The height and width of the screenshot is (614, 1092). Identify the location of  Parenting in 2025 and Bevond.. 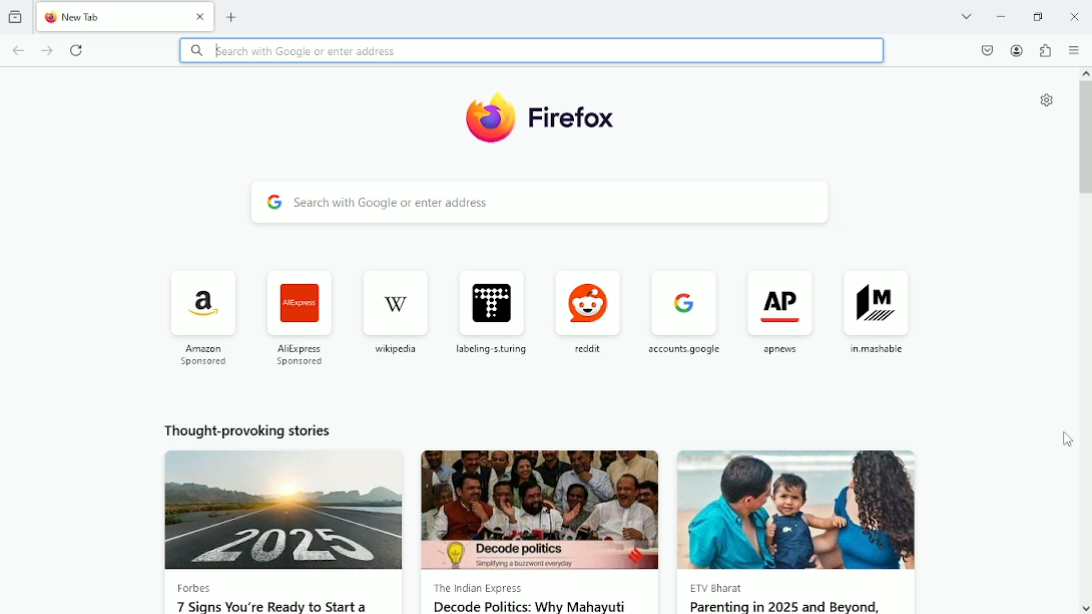
(791, 605).